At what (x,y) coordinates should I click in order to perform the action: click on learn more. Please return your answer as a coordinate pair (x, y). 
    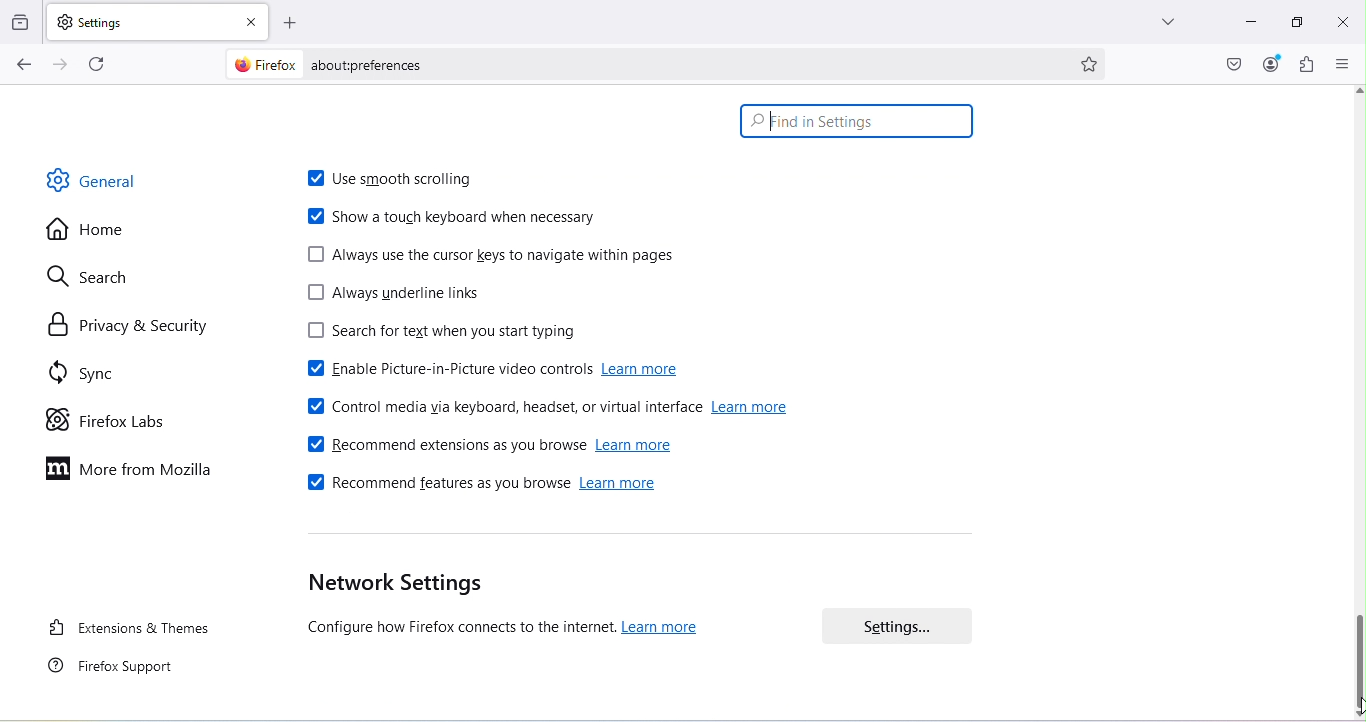
    Looking at the image, I should click on (757, 408).